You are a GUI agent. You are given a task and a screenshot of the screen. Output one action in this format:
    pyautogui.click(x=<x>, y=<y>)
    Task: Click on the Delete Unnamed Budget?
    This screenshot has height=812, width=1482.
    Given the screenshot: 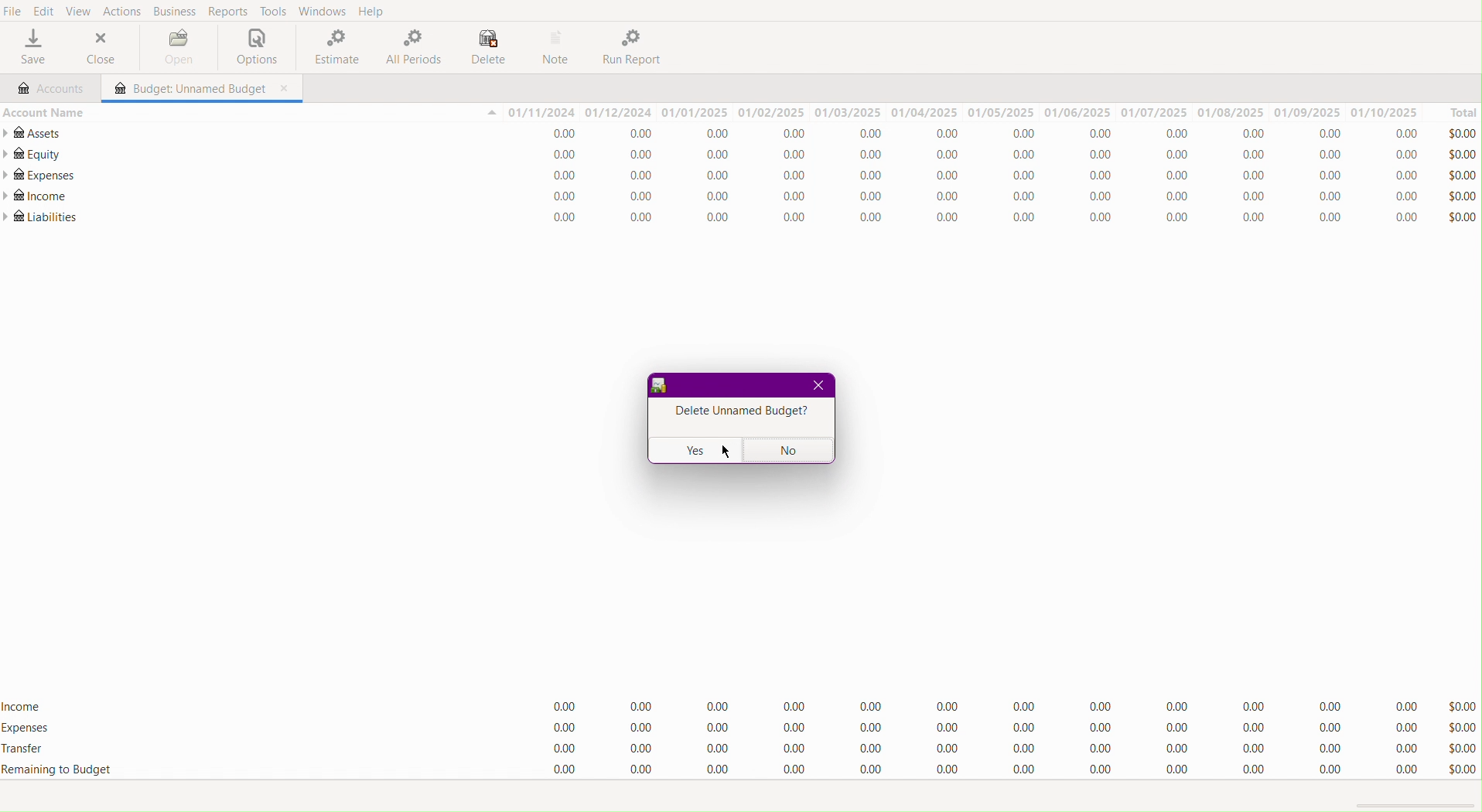 What is the action you would take?
    pyautogui.click(x=738, y=413)
    